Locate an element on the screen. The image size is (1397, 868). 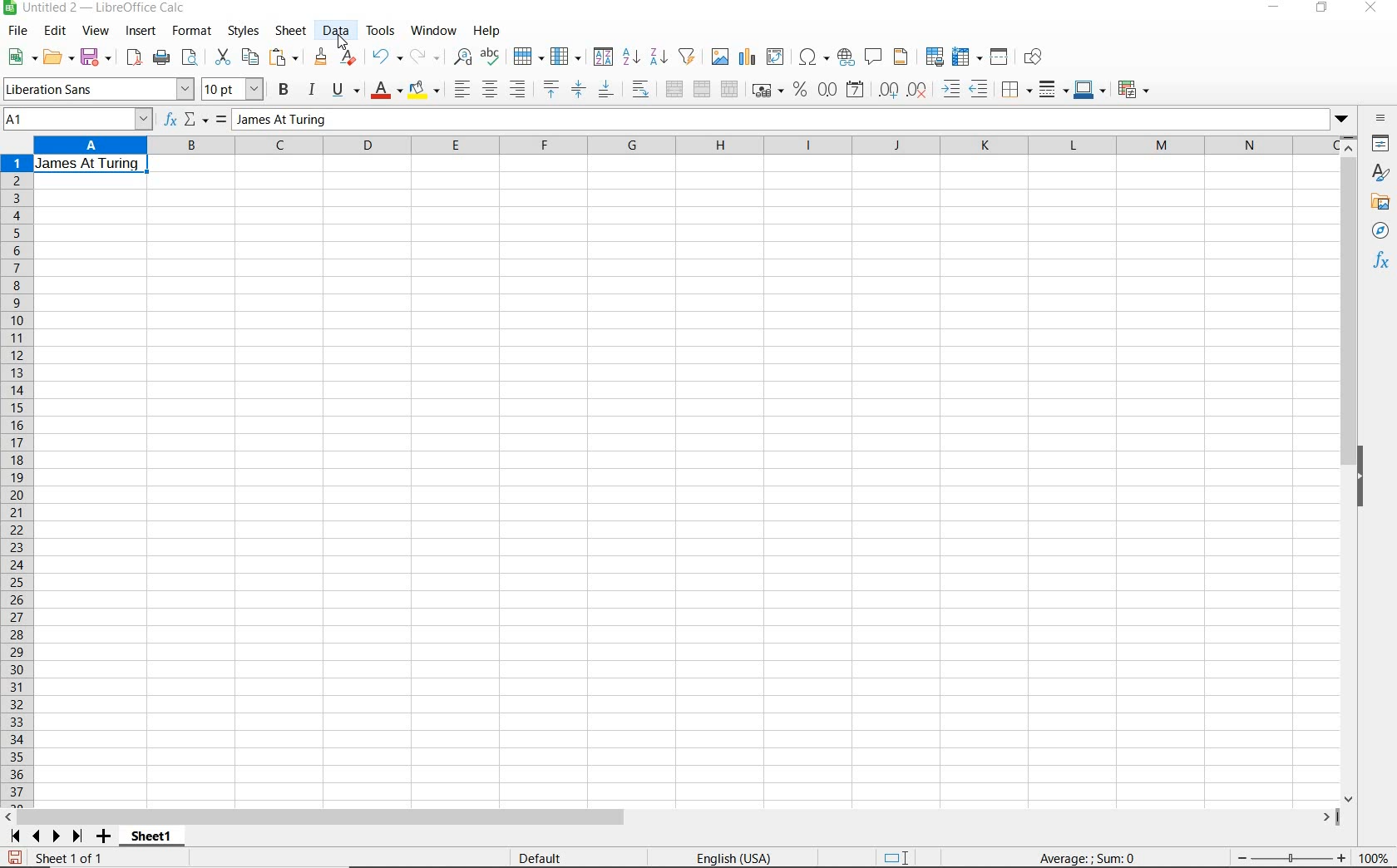
row is located at coordinates (529, 56).